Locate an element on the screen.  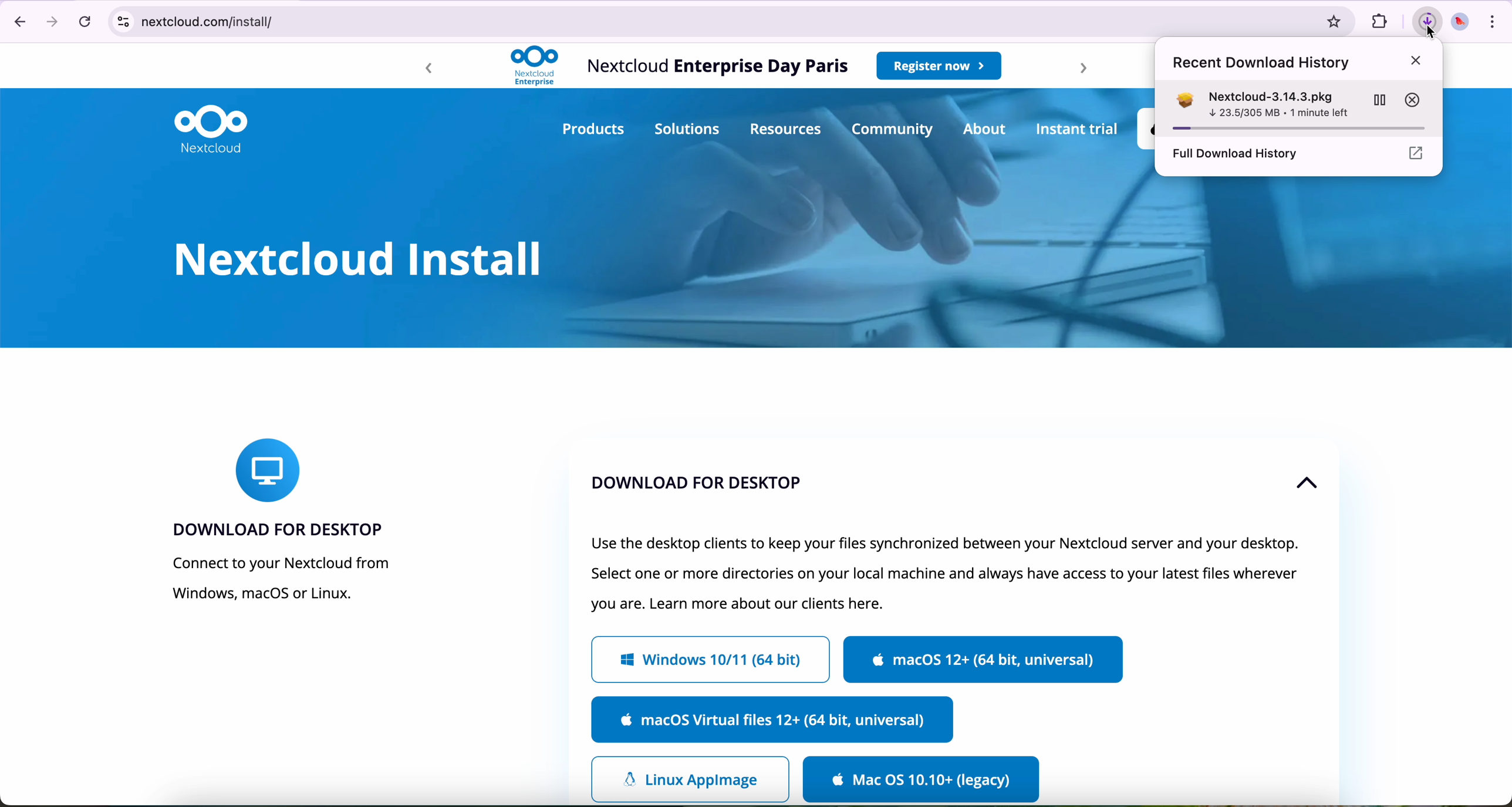
more is located at coordinates (1493, 19).